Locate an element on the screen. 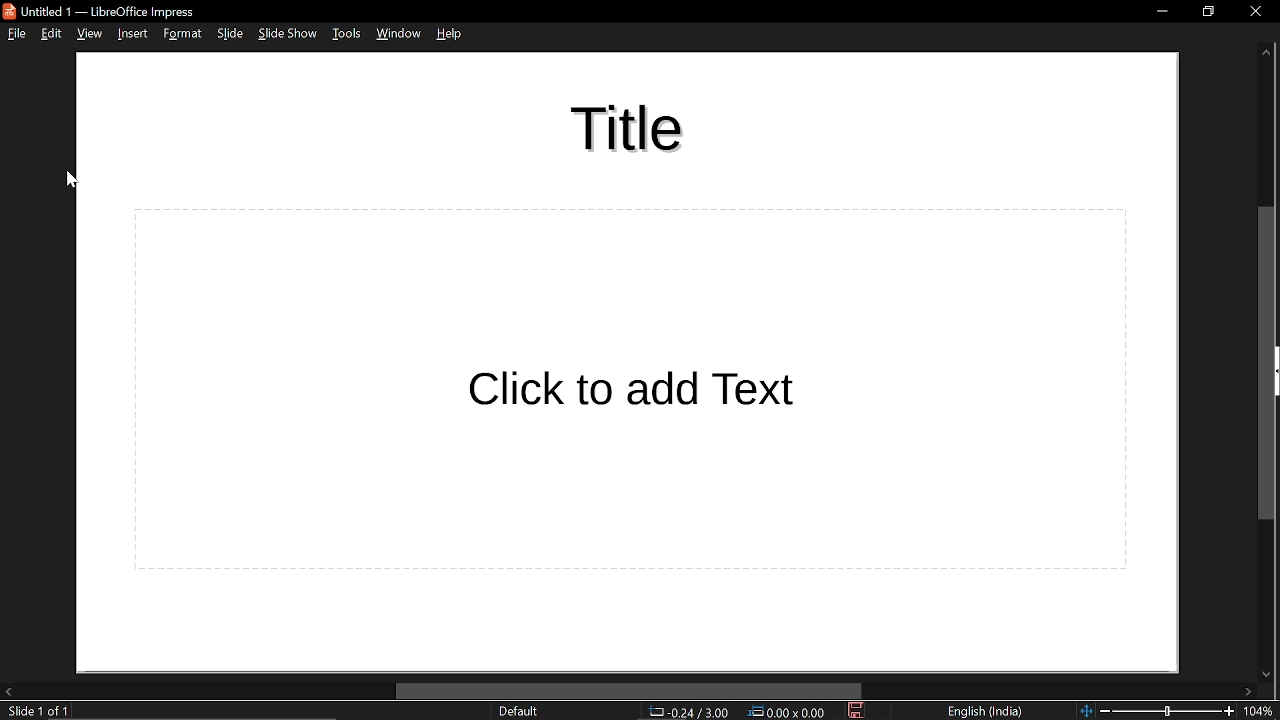  move down is located at coordinates (1262, 671).